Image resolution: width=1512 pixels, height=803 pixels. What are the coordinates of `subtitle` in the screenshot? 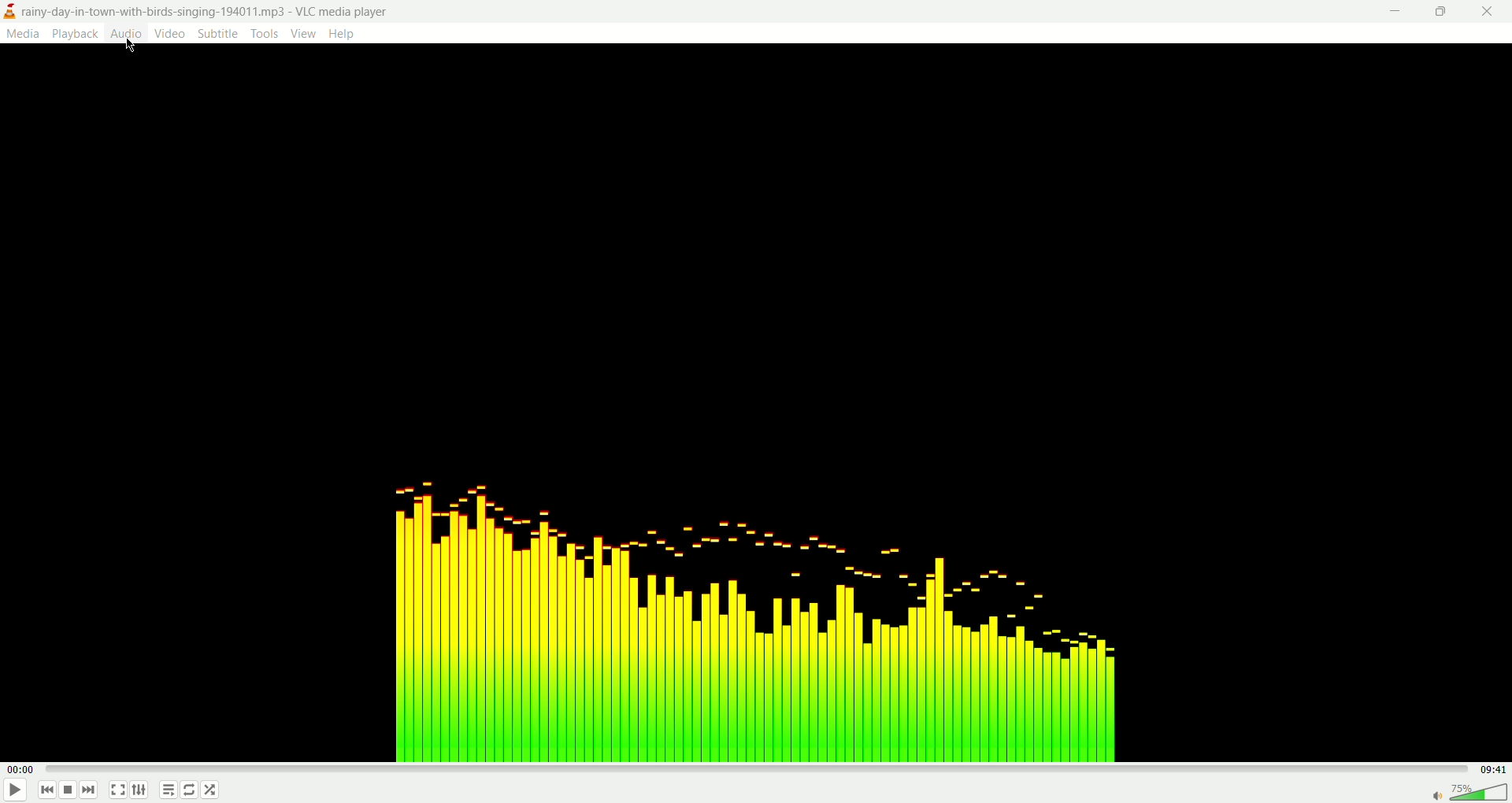 It's located at (219, 33).